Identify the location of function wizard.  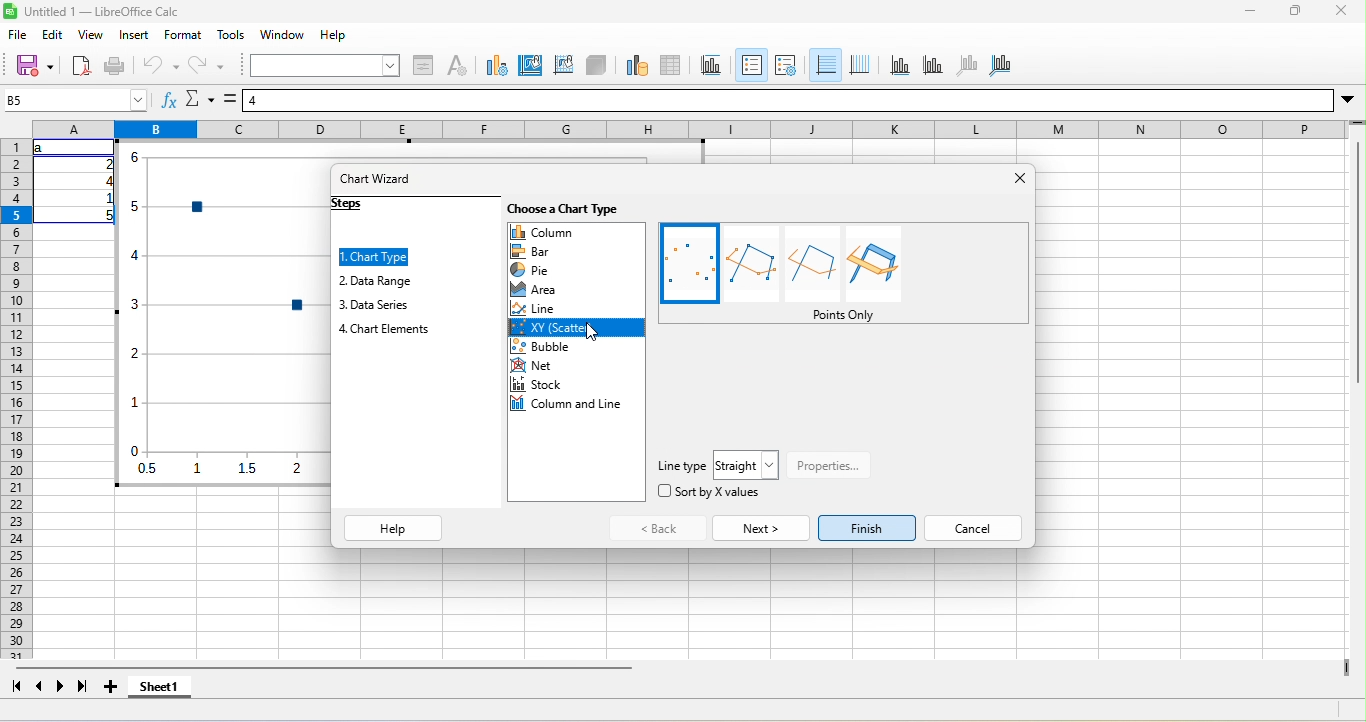
(170, 99).